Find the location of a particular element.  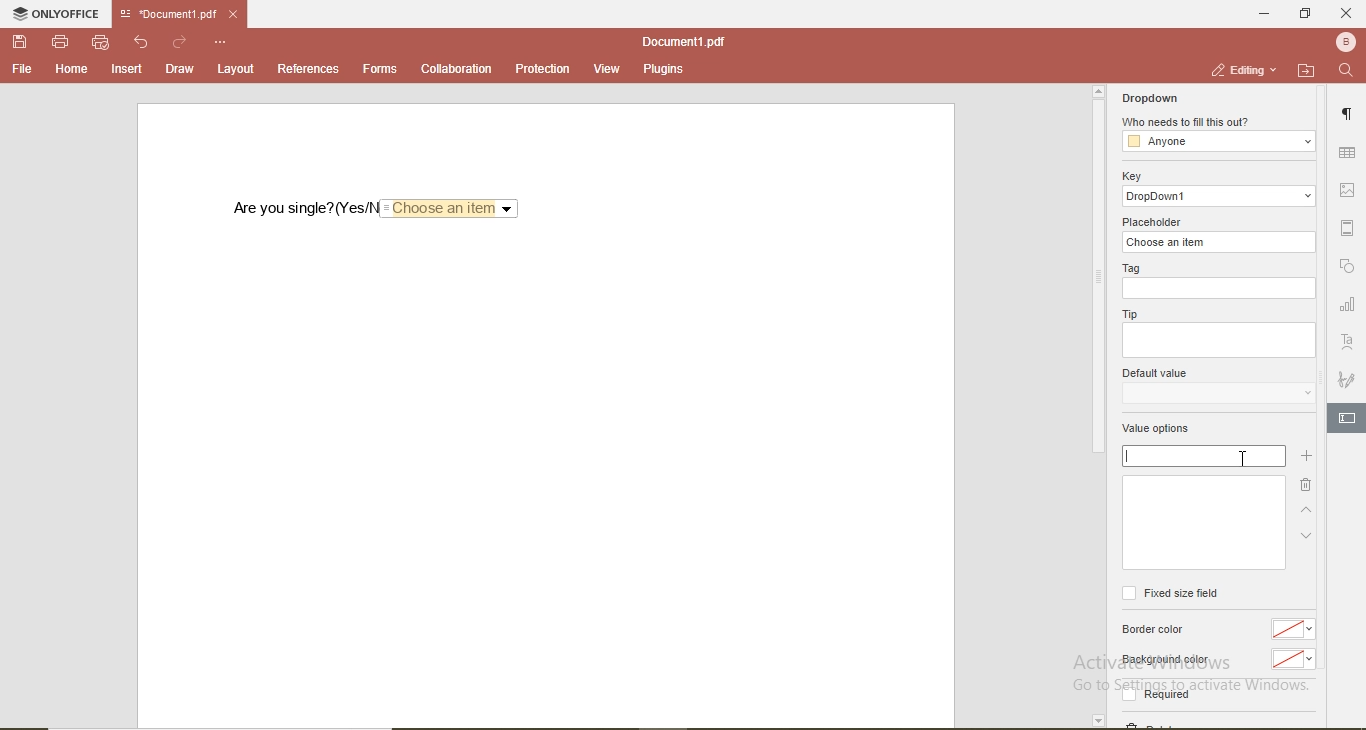

no color is located at coordinates (1292, 630).